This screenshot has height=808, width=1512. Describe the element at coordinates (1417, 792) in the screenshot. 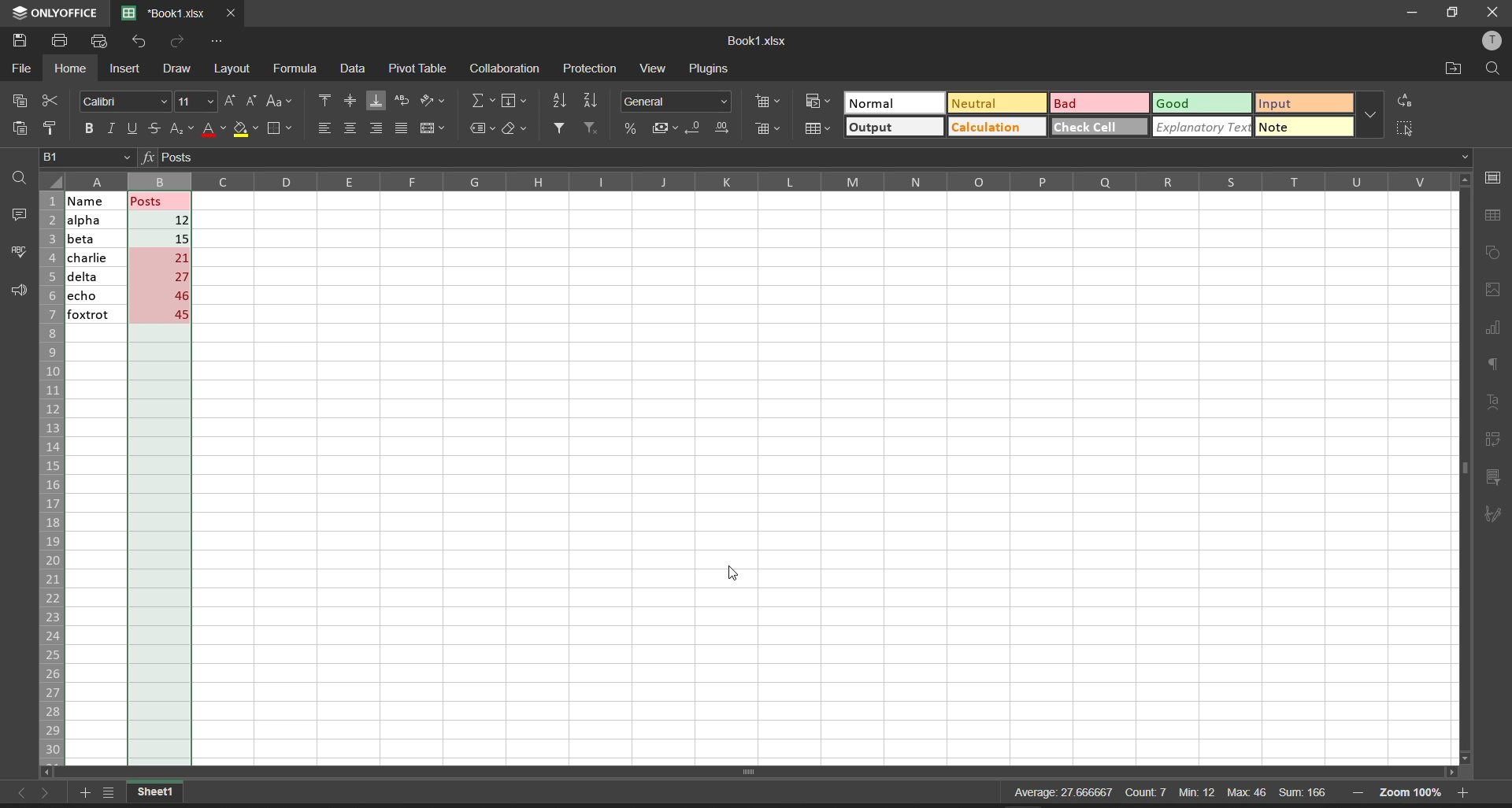

I see `zoom 100%` at that location.